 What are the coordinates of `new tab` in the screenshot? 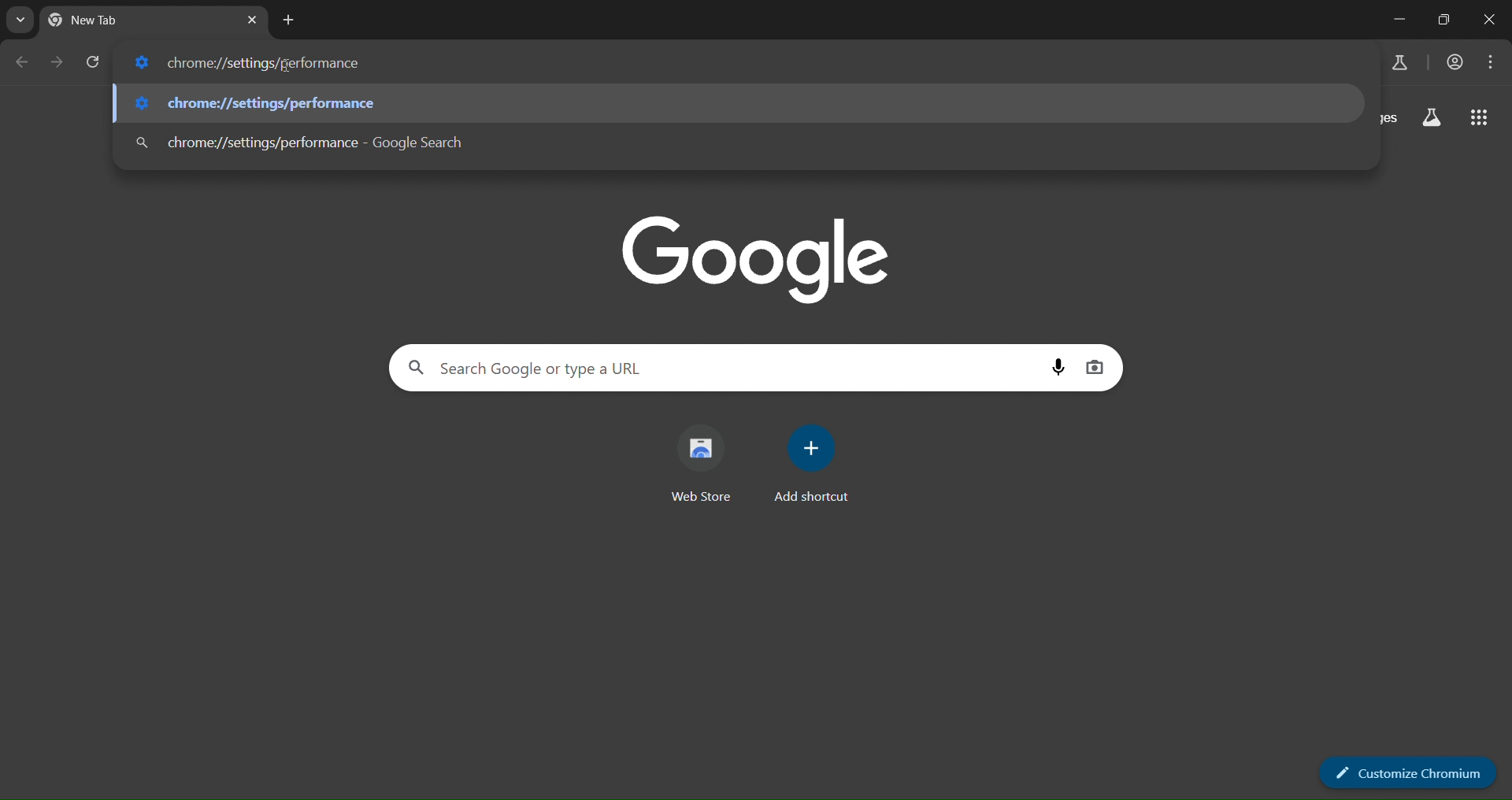 It's located at (291, 20).